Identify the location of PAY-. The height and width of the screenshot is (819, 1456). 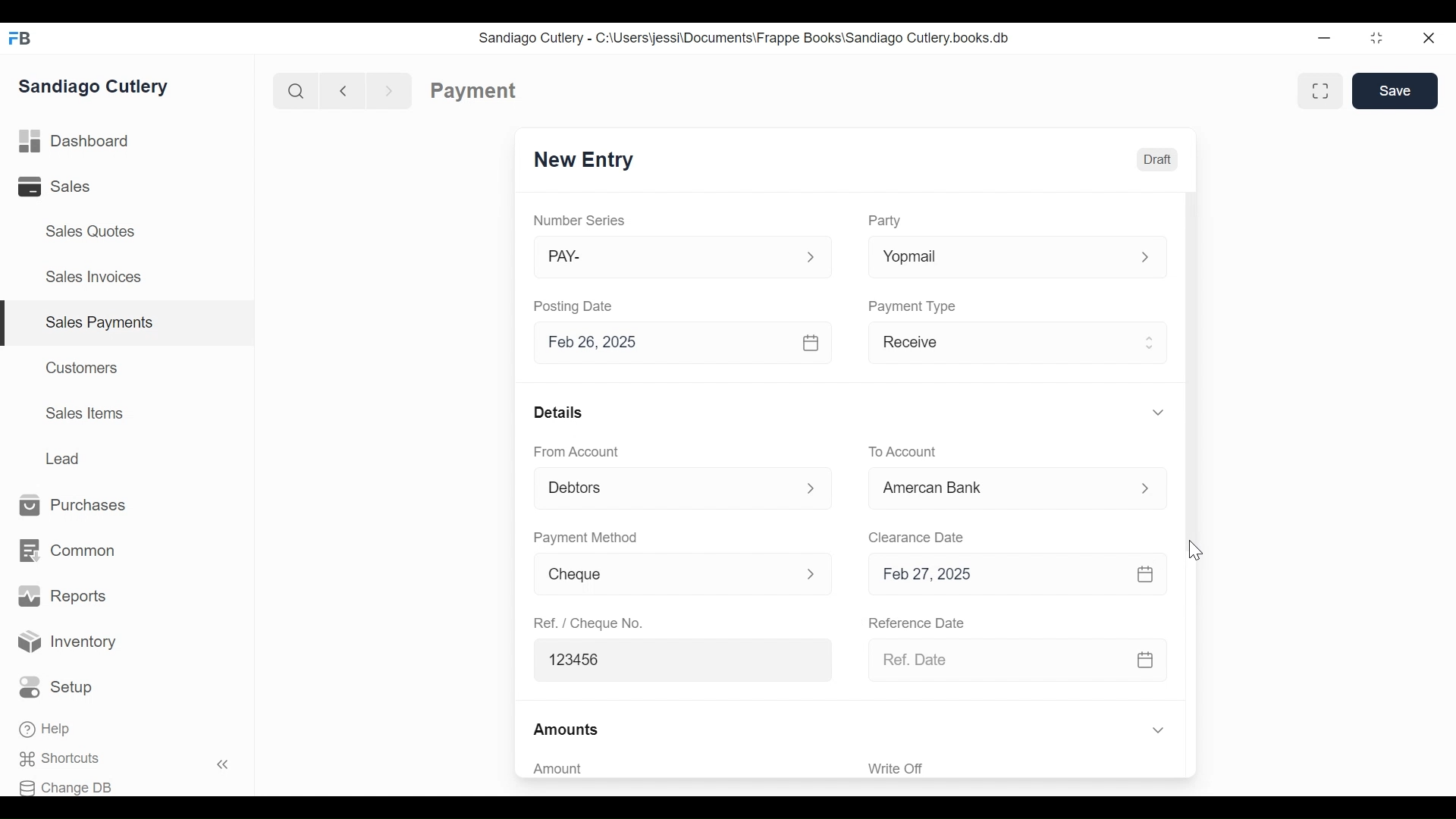
(666, 259).